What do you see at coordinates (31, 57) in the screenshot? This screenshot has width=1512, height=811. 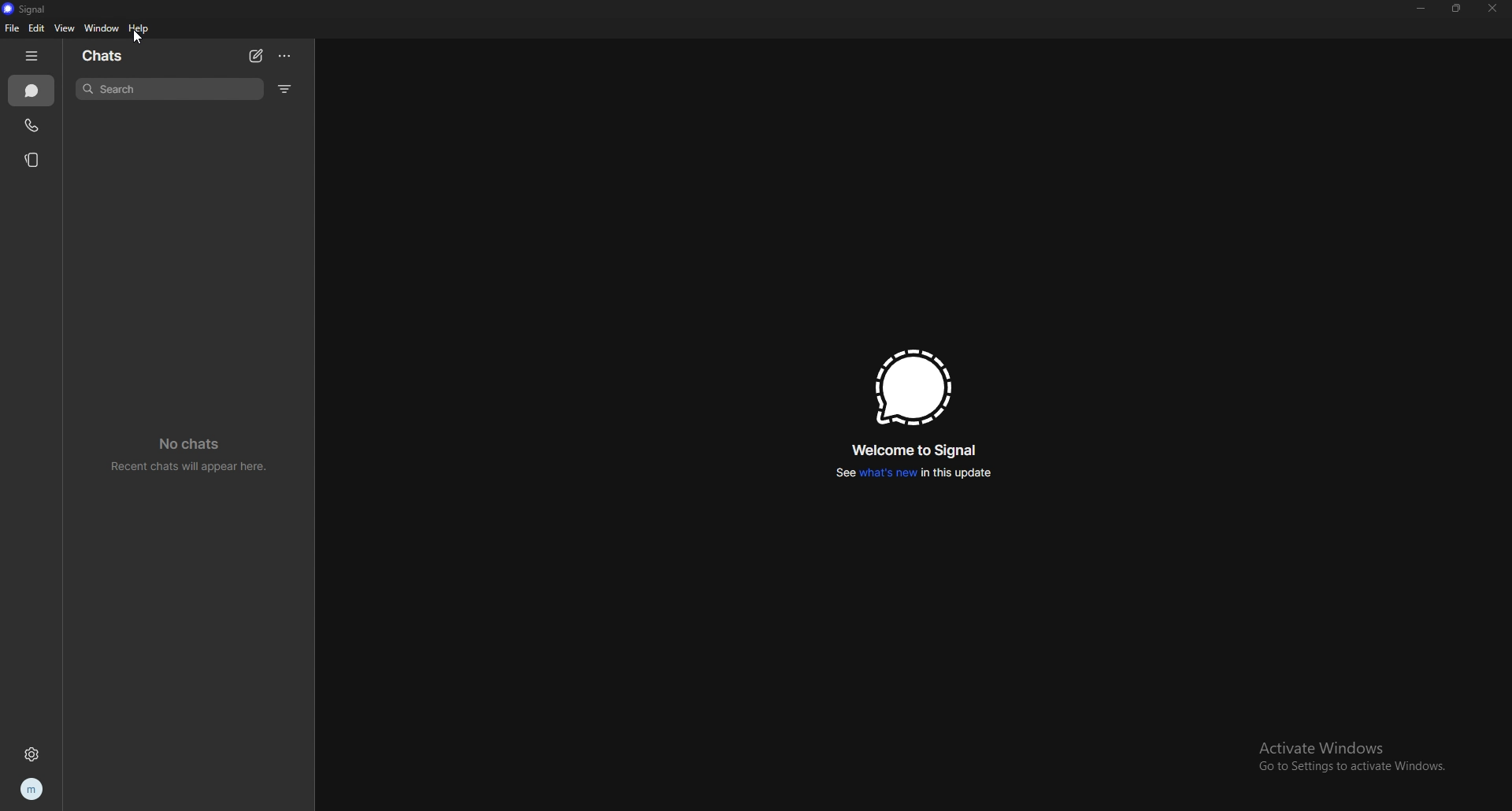 I see `hide tab` at bounding box center [31, 57].